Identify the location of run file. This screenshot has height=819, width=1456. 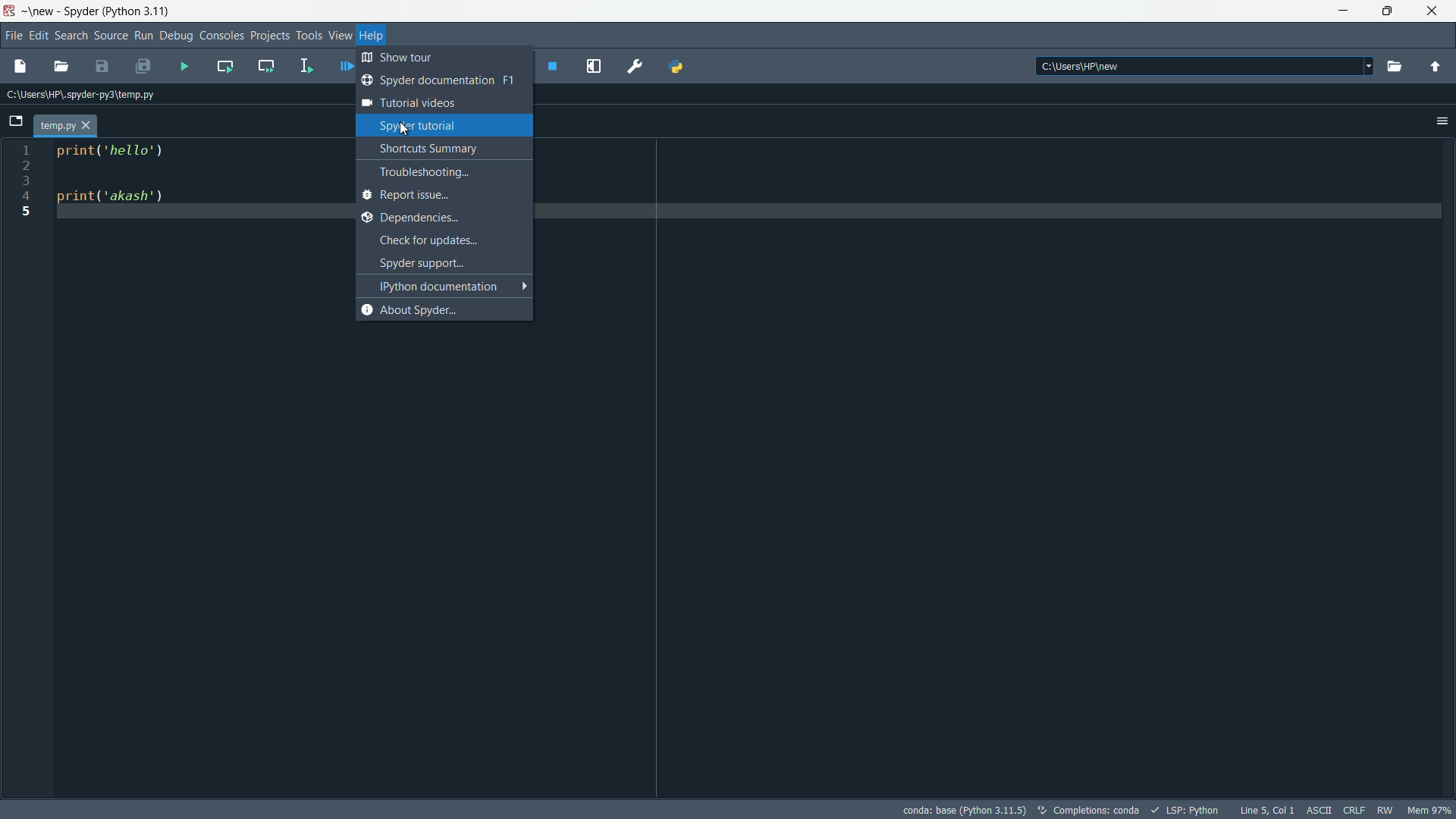
(185, 67).